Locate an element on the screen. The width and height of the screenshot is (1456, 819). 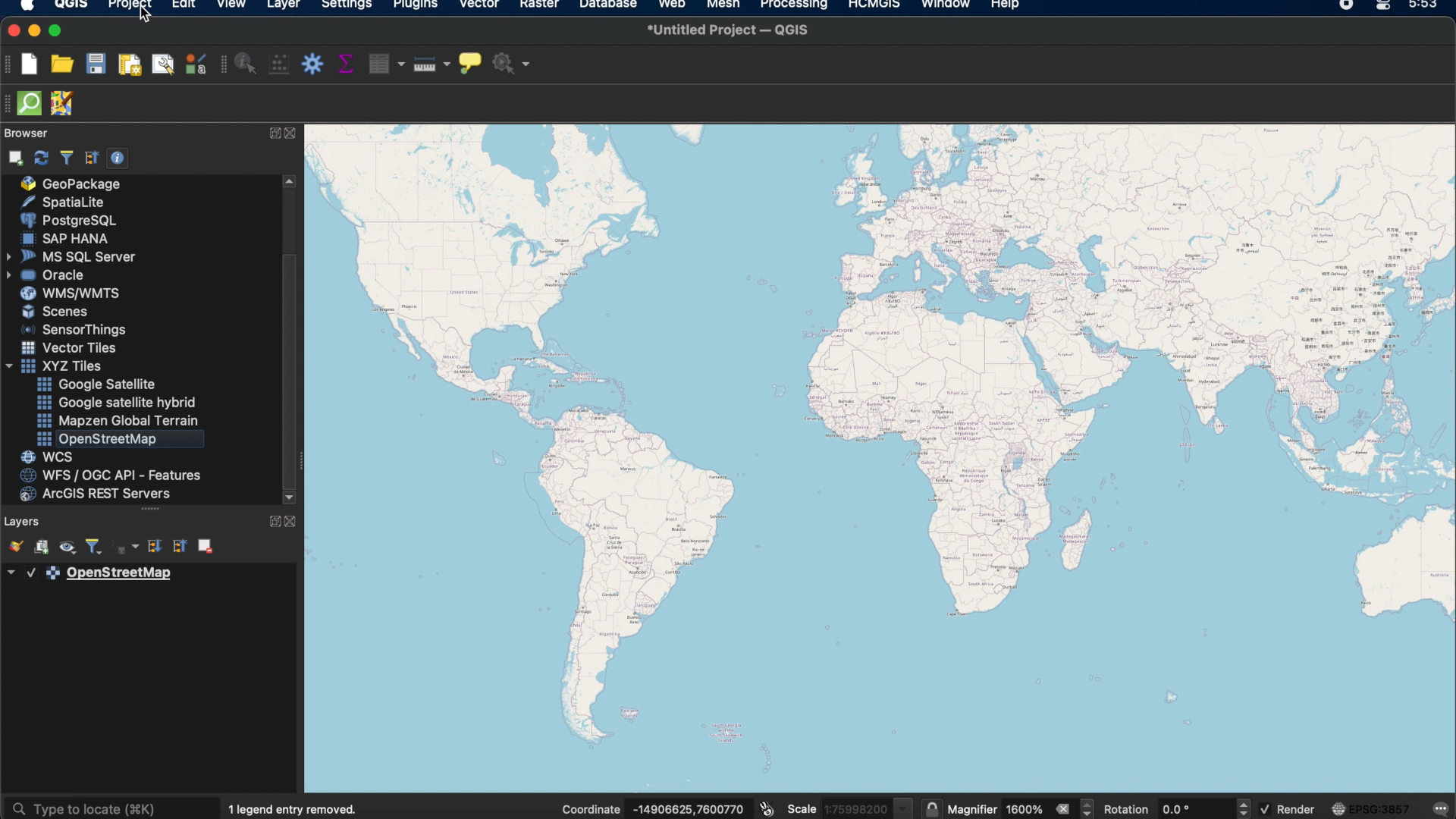
manage map themes is located at coordinates (69, 548).